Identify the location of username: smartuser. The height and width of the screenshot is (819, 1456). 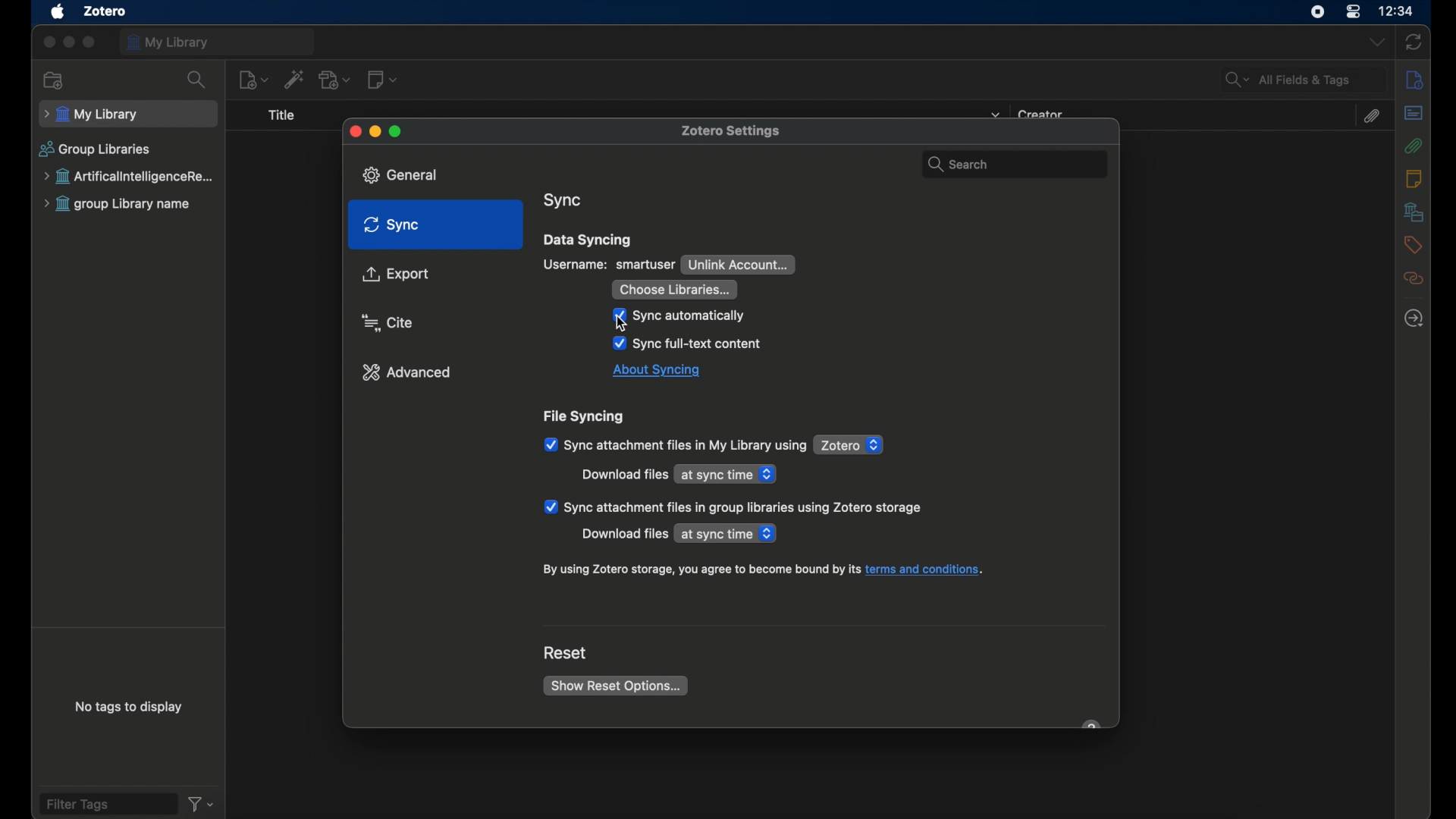
(610, 264).